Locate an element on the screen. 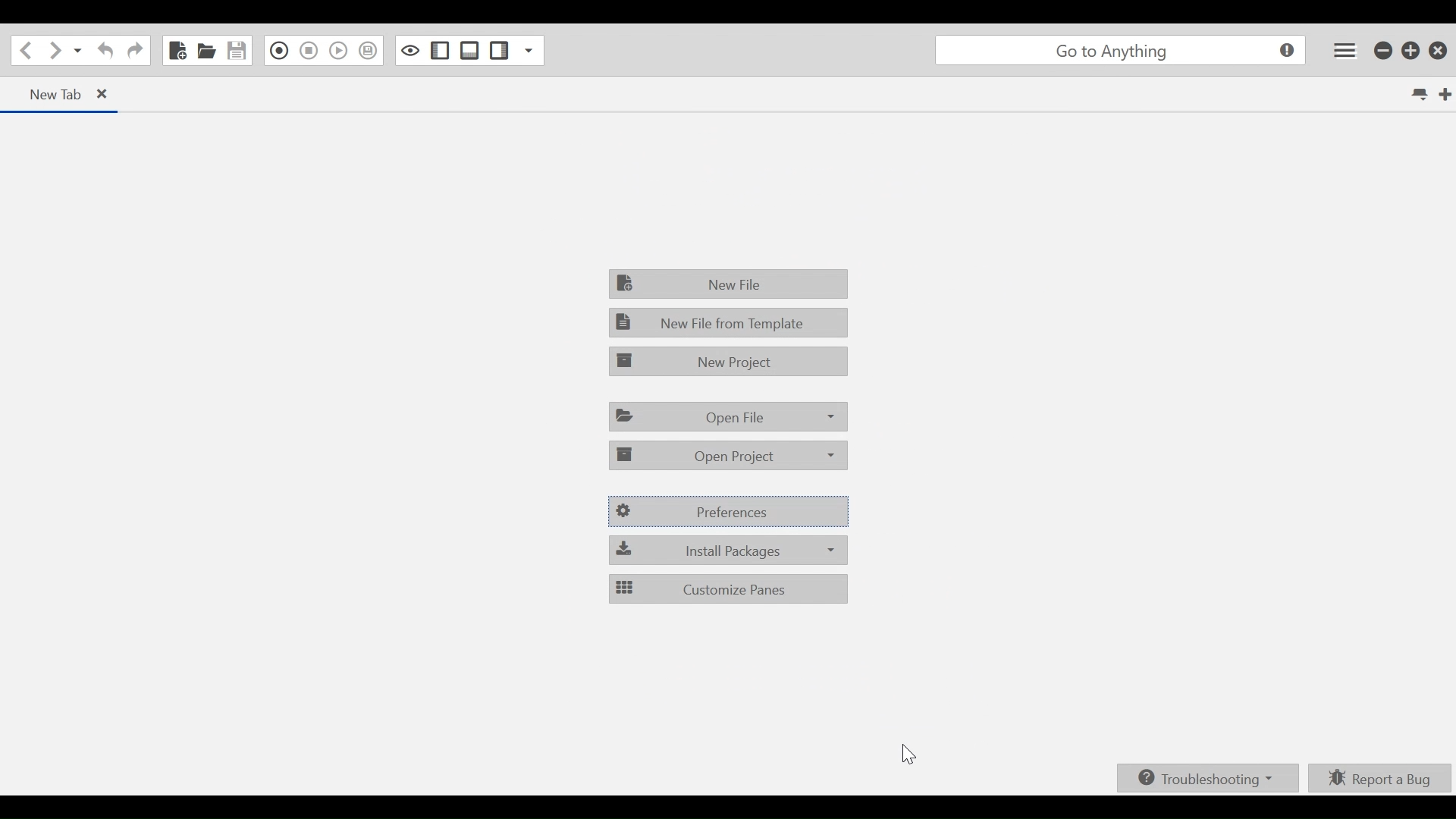  Ne File is located at coordinates (730, 283).